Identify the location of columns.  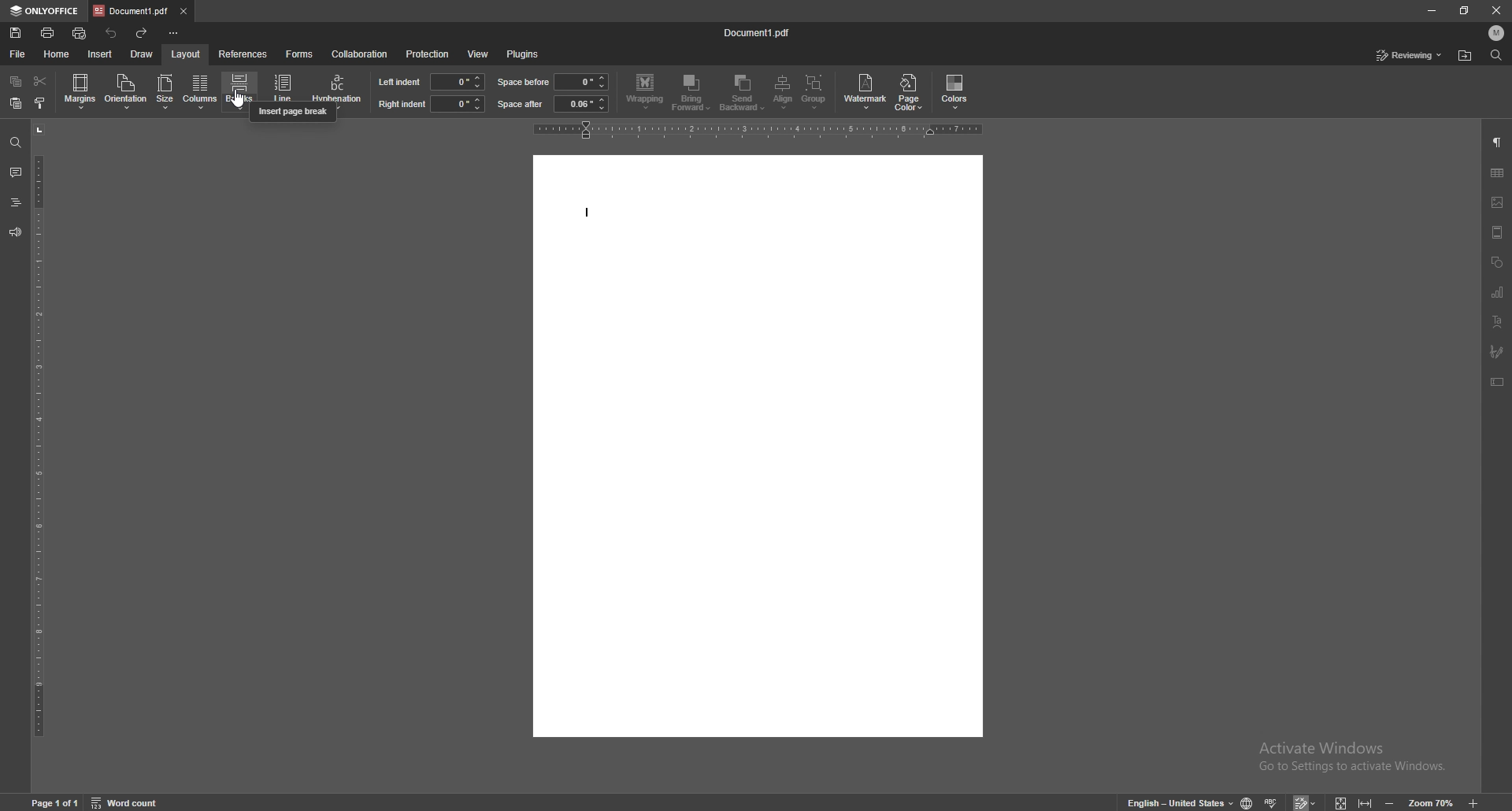
(202, 91).